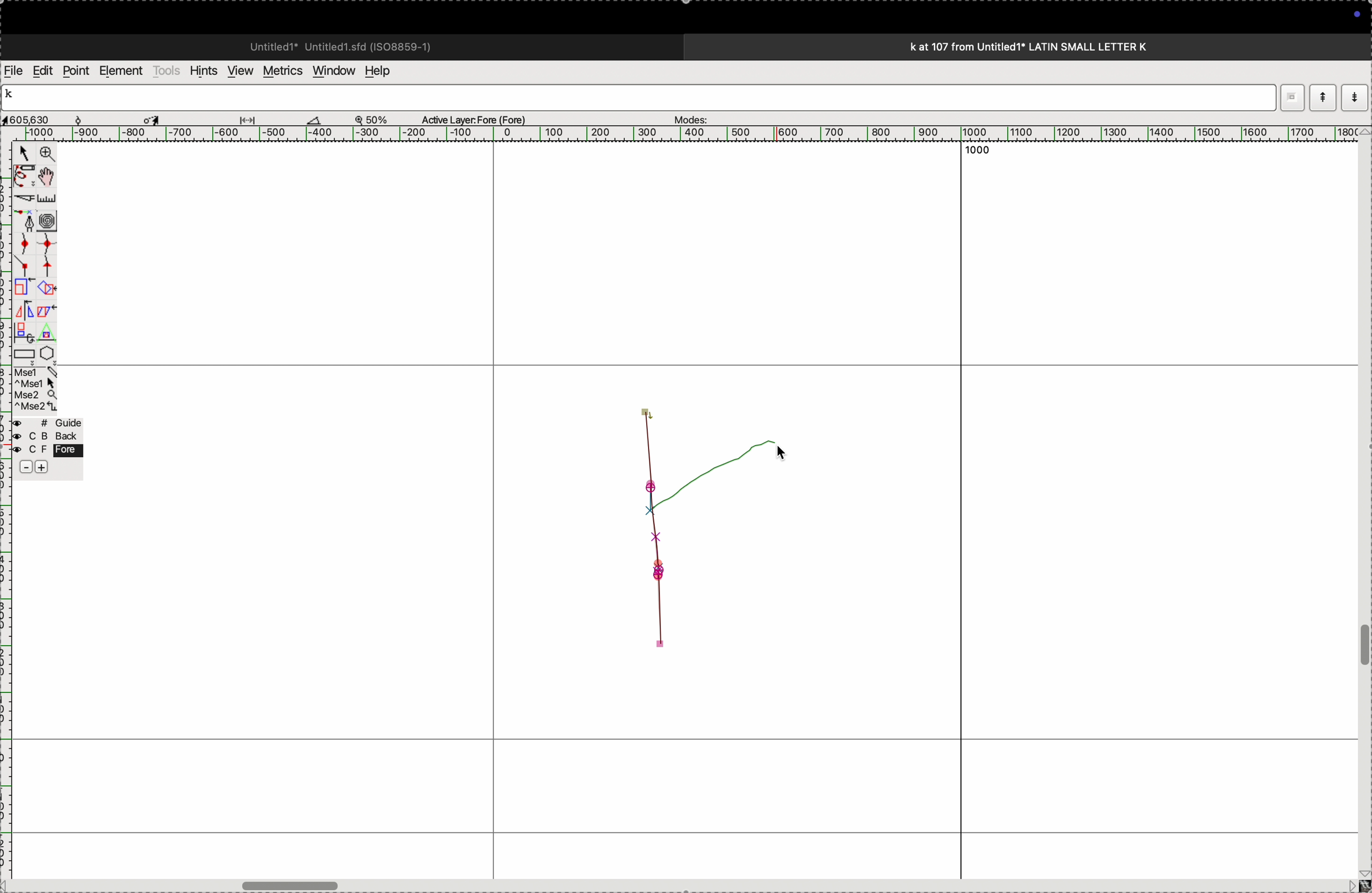 The height and width of the screenshot is (893, 1372). What do you see at coordinates (22, 198) in the screenshot?
I see `cut` at bounding box center [22, 198].